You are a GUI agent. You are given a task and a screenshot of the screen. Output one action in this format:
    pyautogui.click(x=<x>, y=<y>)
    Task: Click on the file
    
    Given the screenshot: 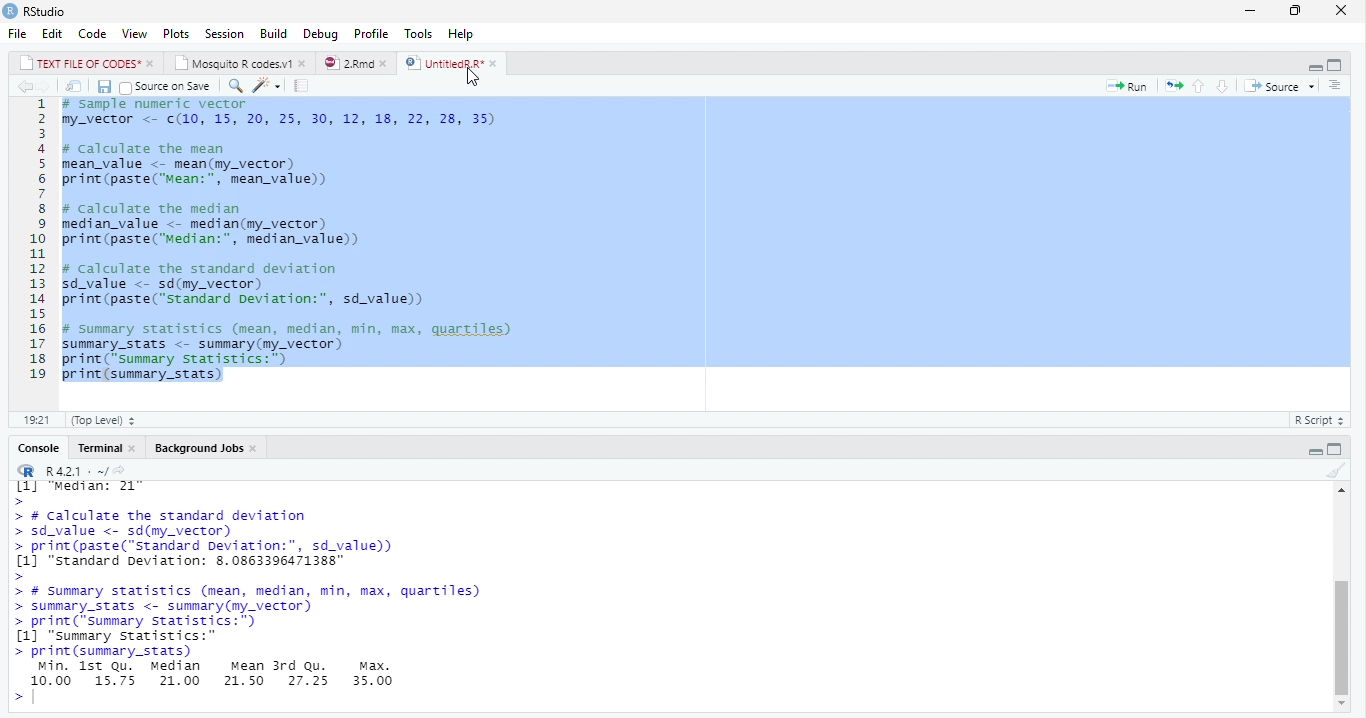 What is the action you would take?
    pyautogui.click(x=18, y=33)
    